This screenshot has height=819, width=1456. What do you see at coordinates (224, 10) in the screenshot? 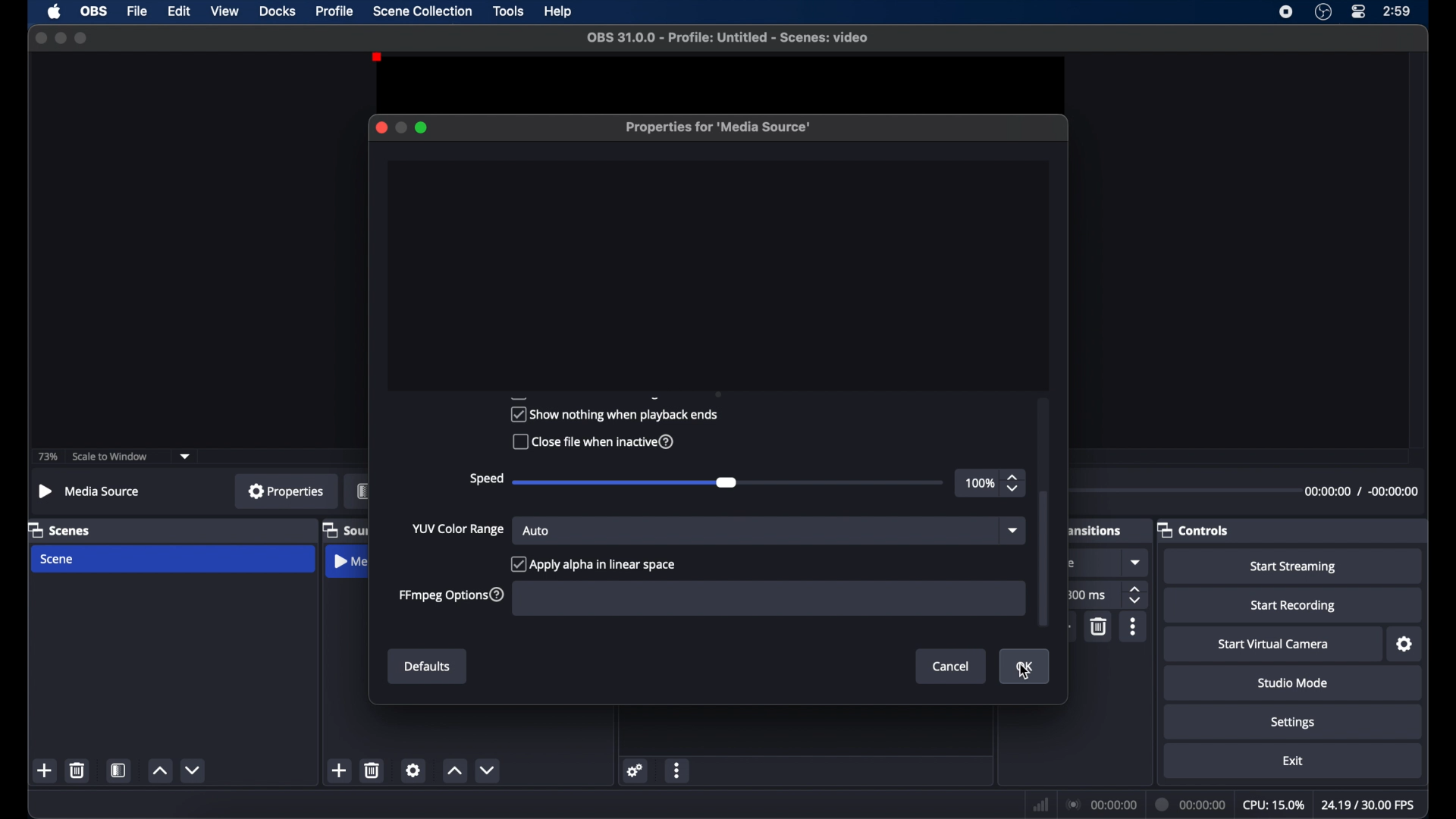
I see `view` at bounding box center [224, 10].